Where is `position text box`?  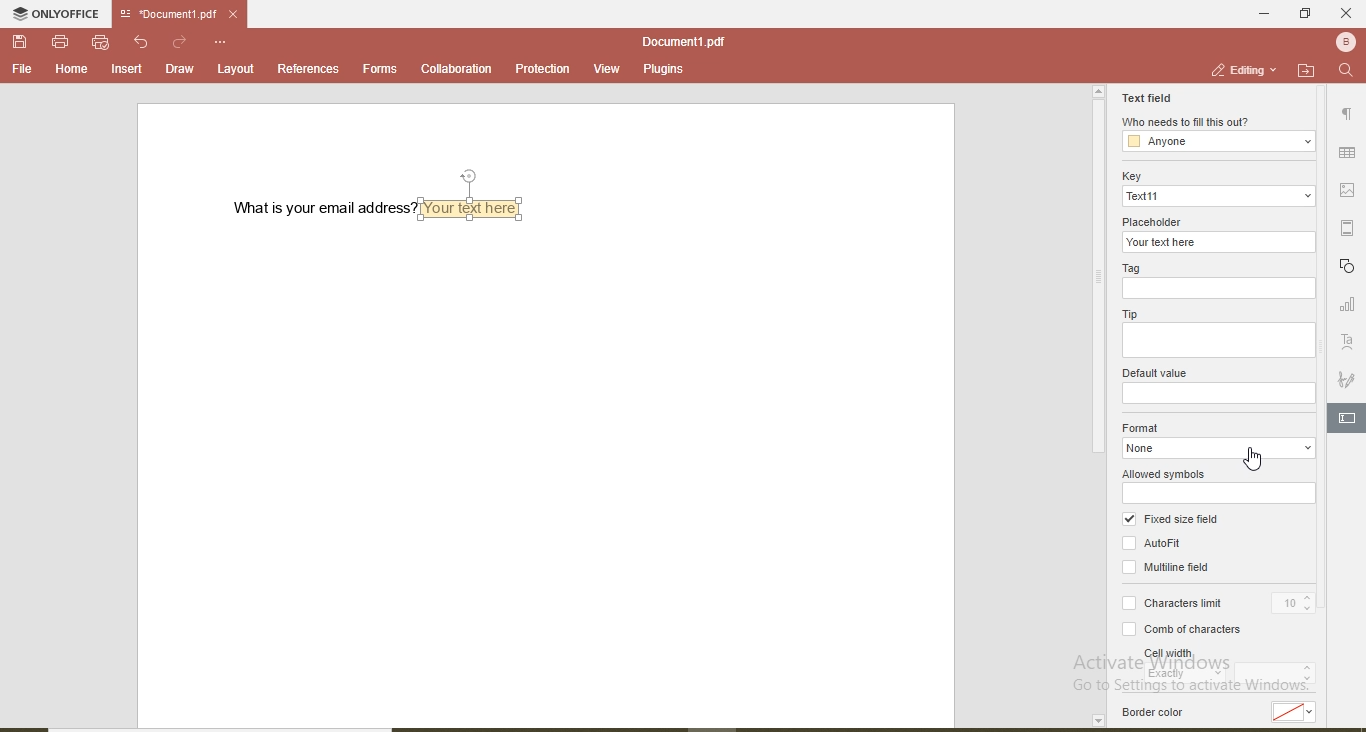
position text box is located at coordinates (473, 175).